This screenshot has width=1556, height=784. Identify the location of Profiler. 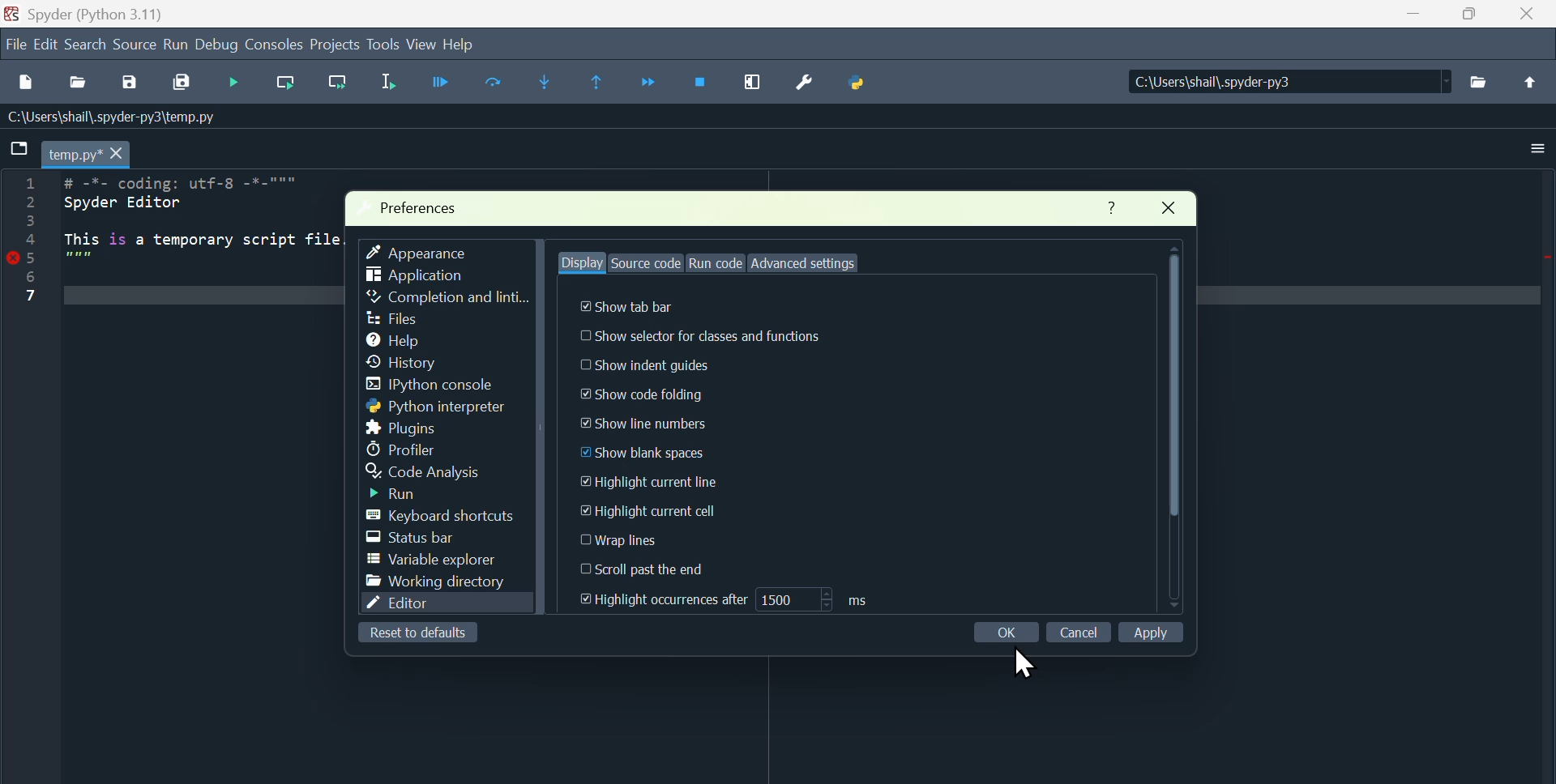
(402, 450).